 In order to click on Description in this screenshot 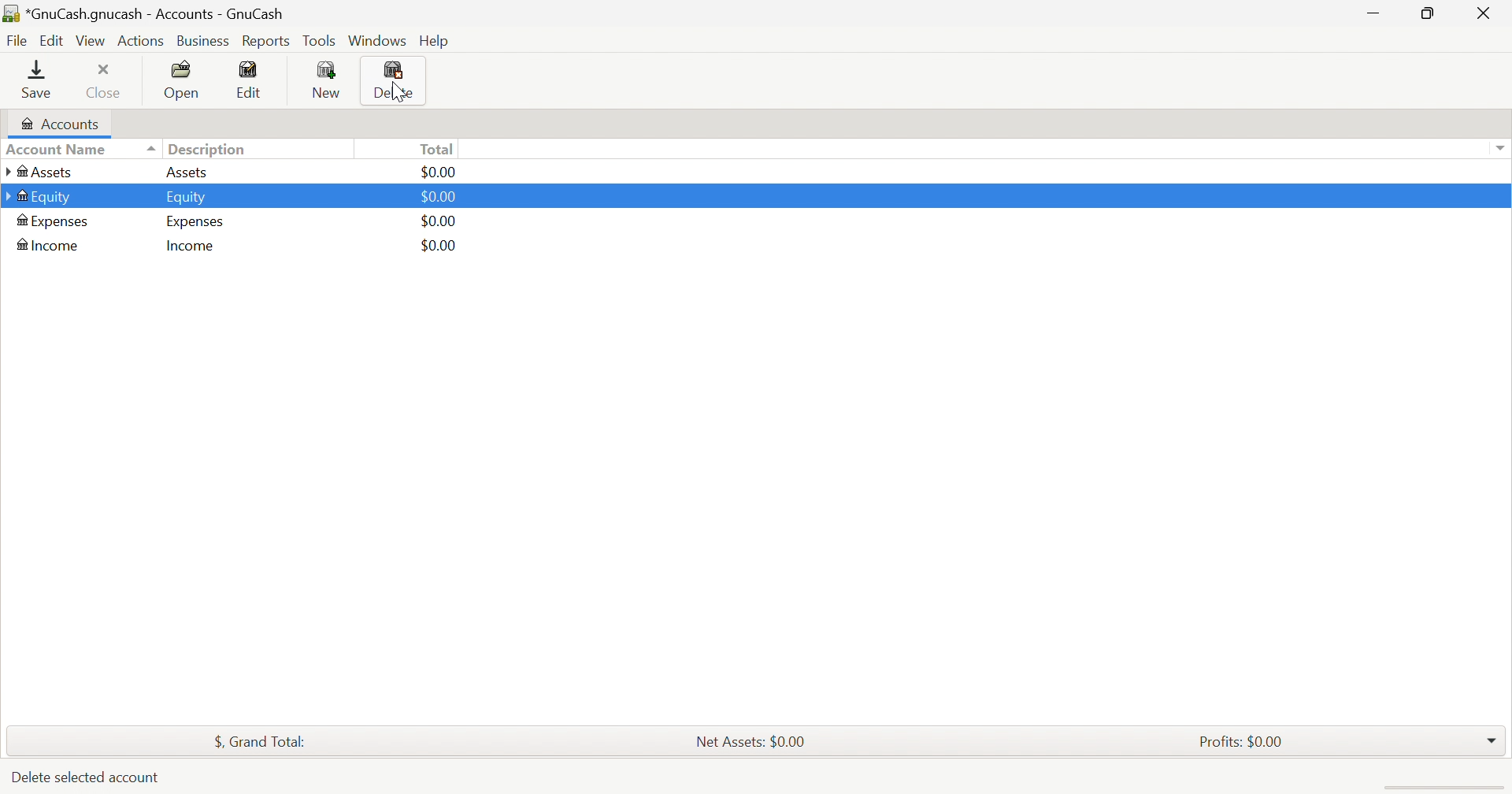, I will do `click(210, 149)`.